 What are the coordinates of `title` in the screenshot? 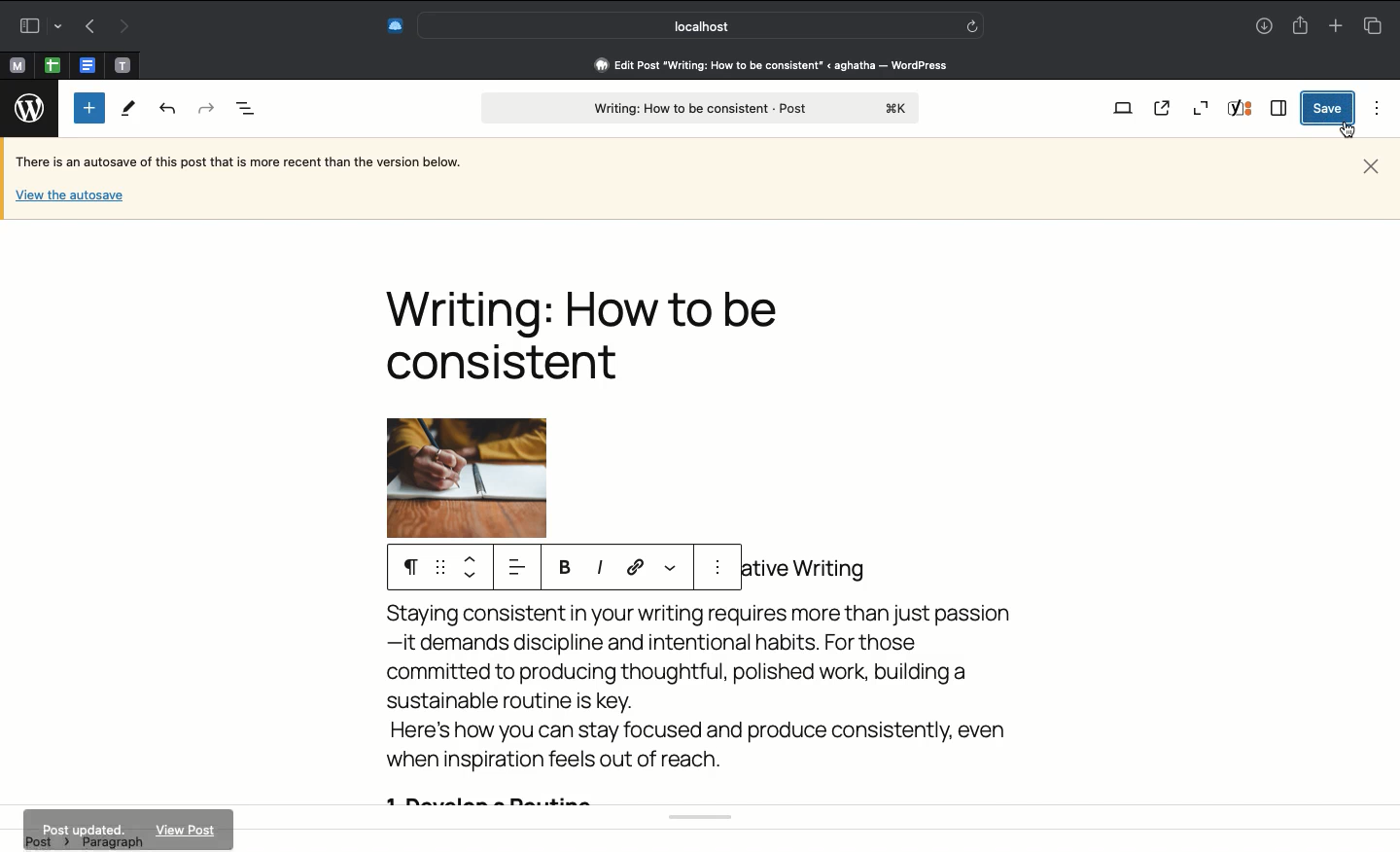 It's located at (820, 565).